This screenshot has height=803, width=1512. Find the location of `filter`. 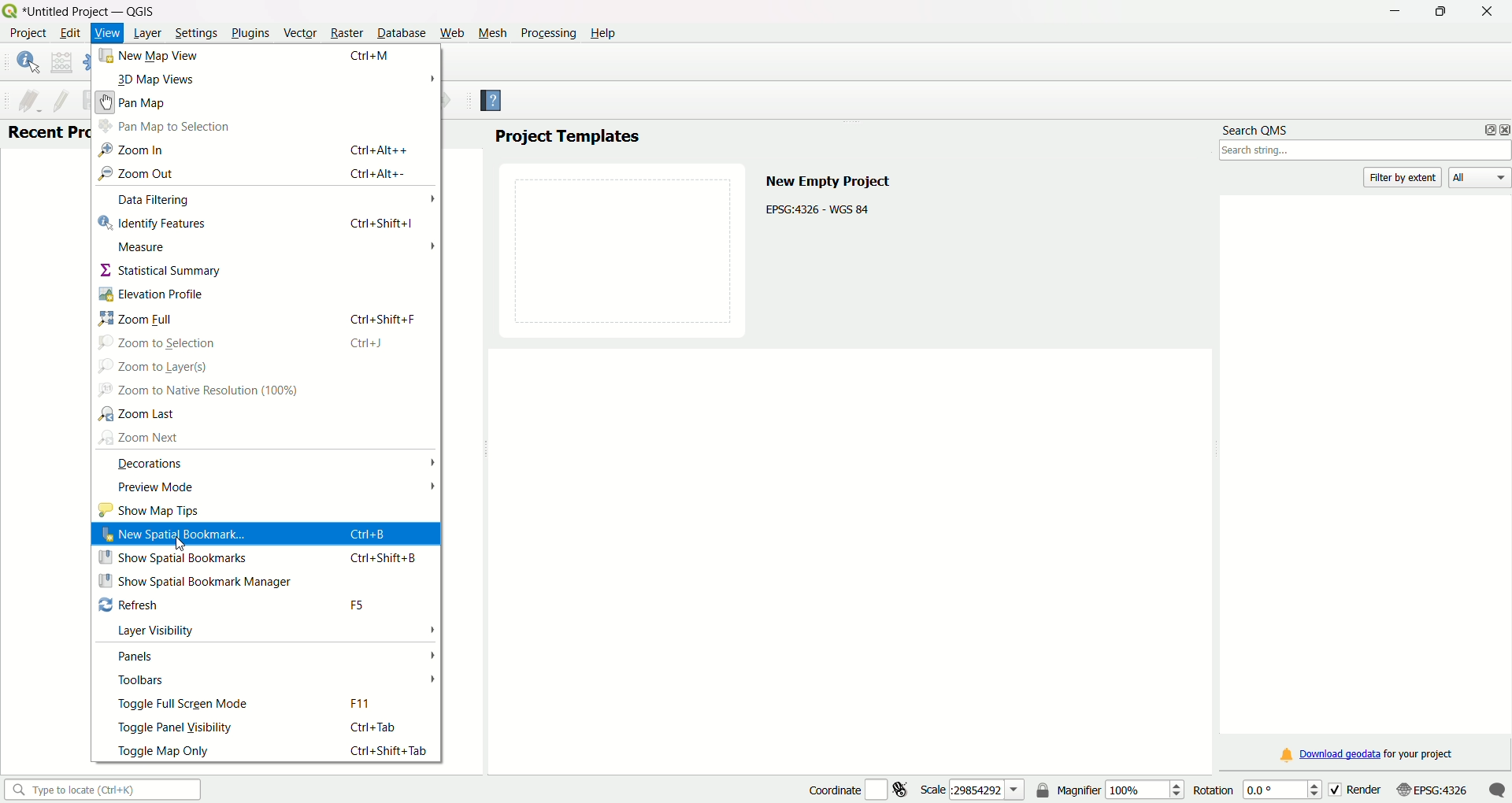

filter is located at coordinates (1405, 177).